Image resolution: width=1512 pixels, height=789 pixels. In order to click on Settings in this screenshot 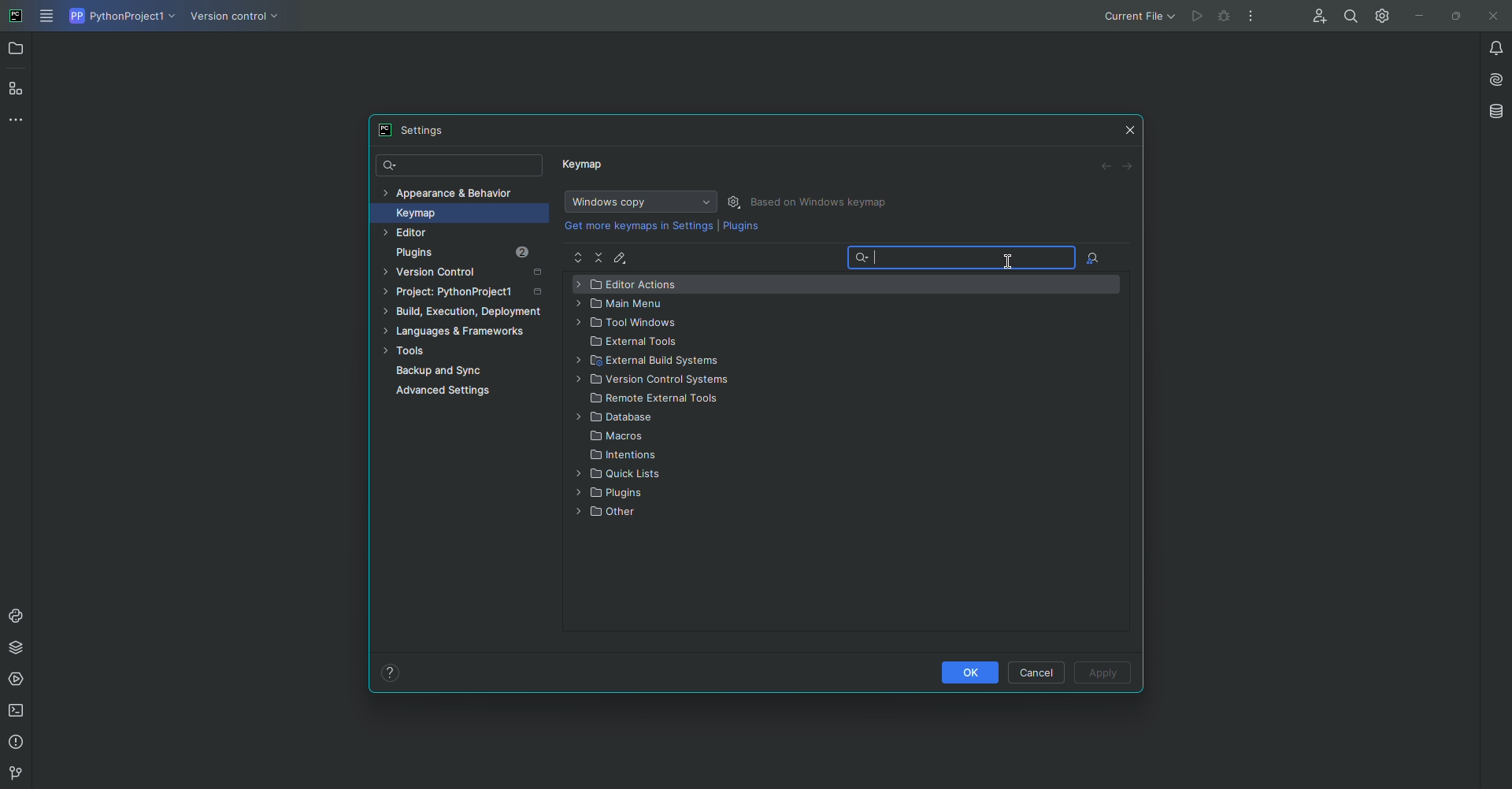, I will do `click(1379, 15)`.